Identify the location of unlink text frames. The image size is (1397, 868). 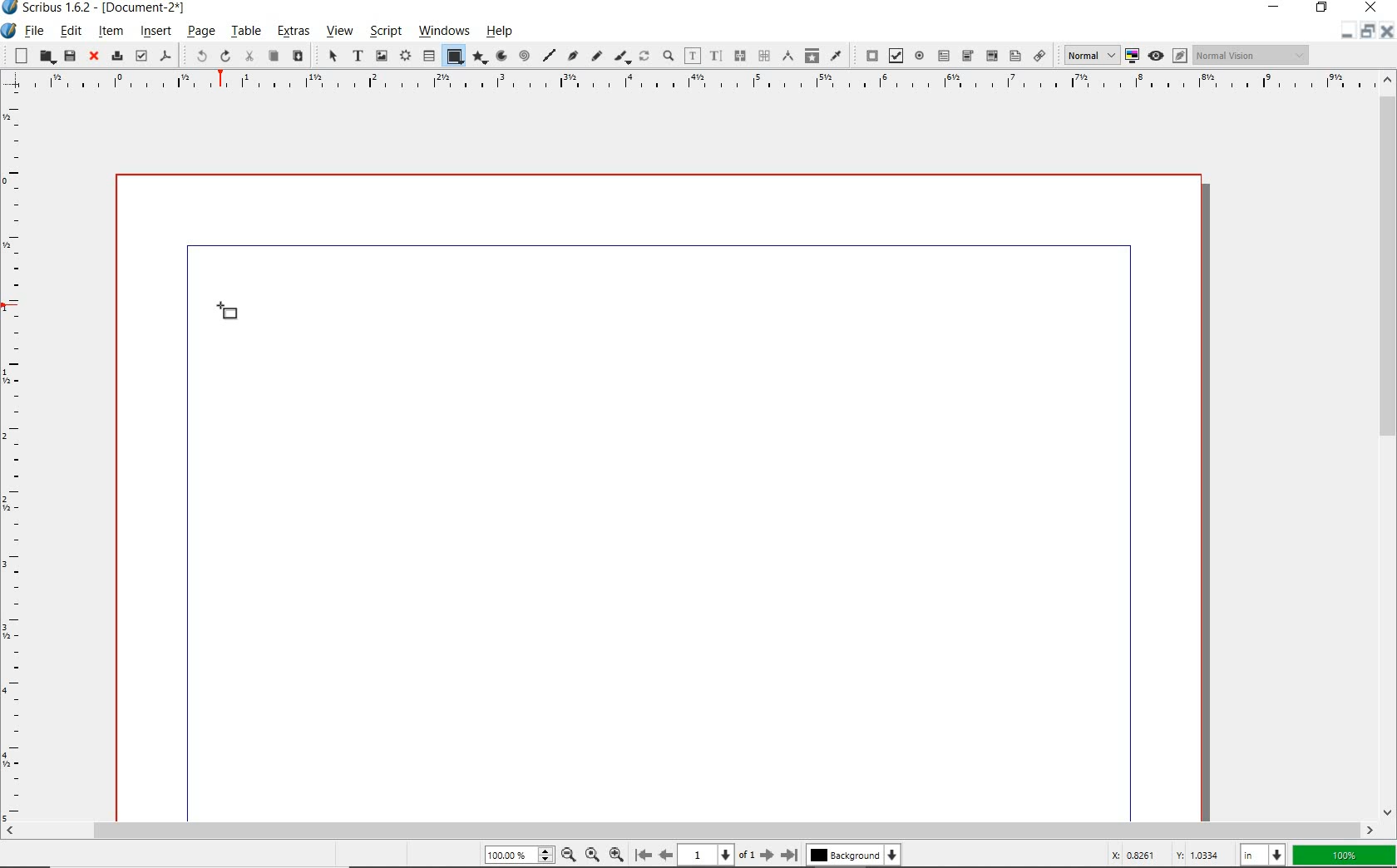
(738, 57).